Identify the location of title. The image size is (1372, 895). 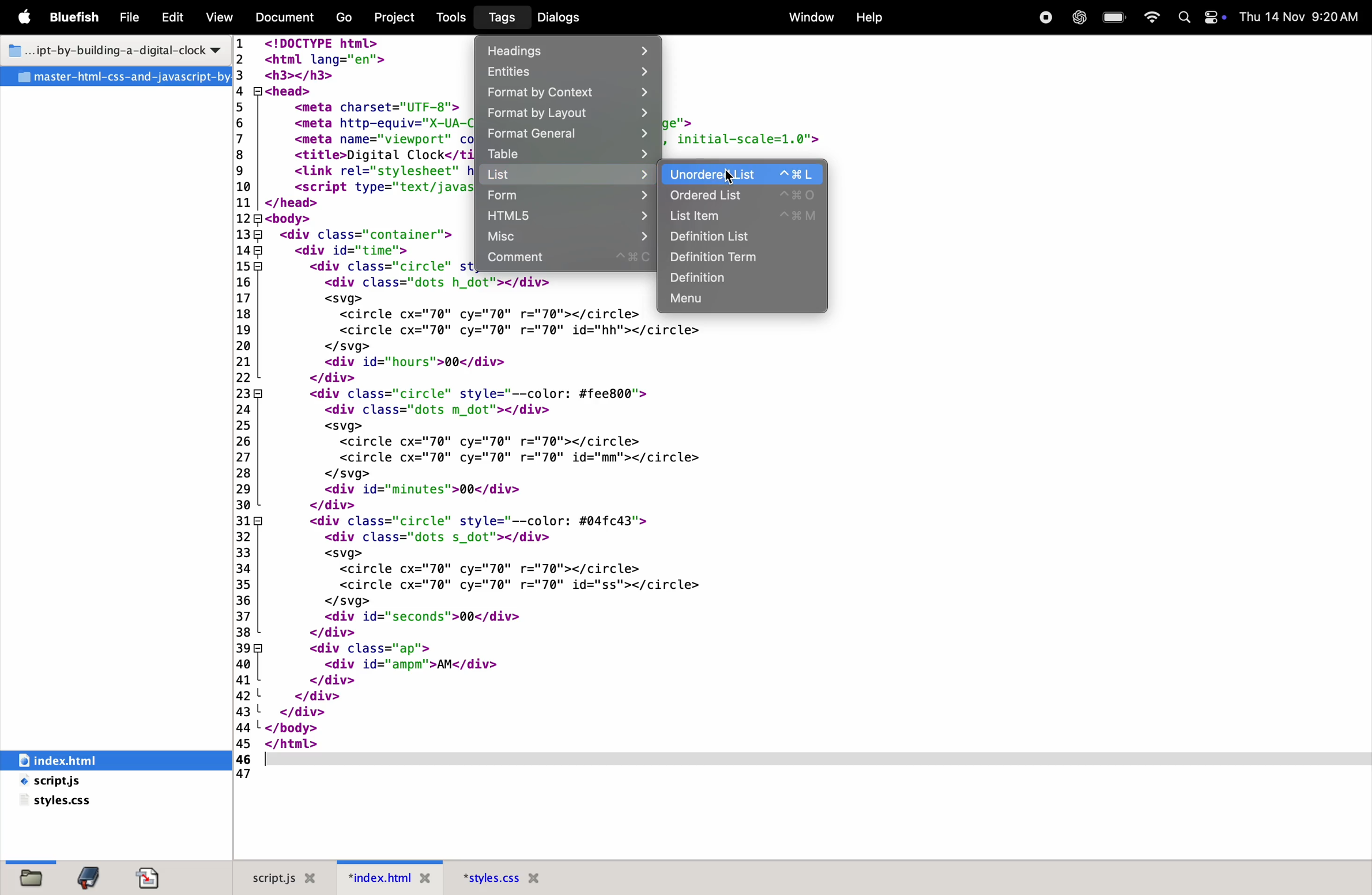
(114, 48).